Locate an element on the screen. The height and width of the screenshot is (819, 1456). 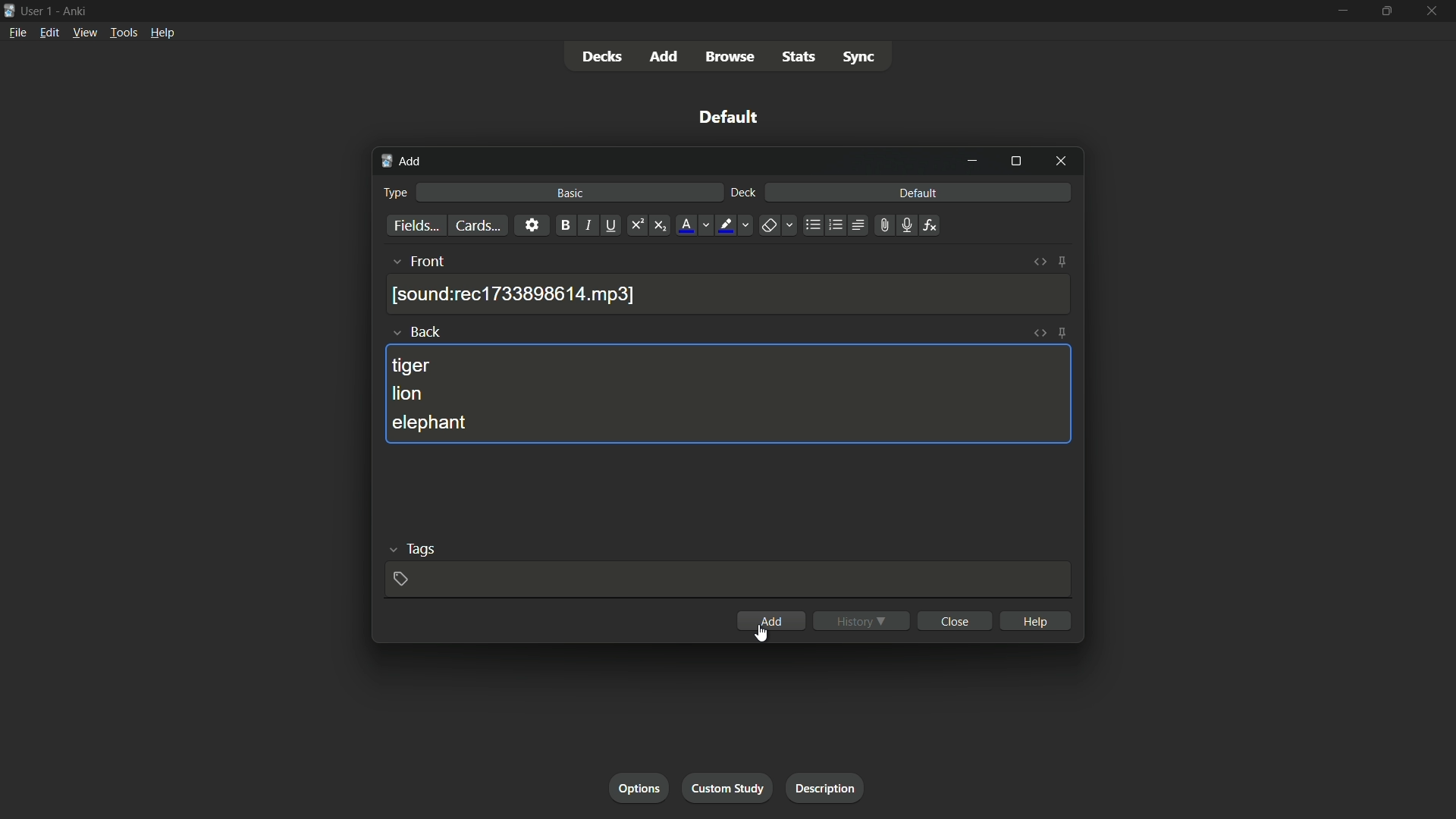
file menu is located at coordinates (18, 32).